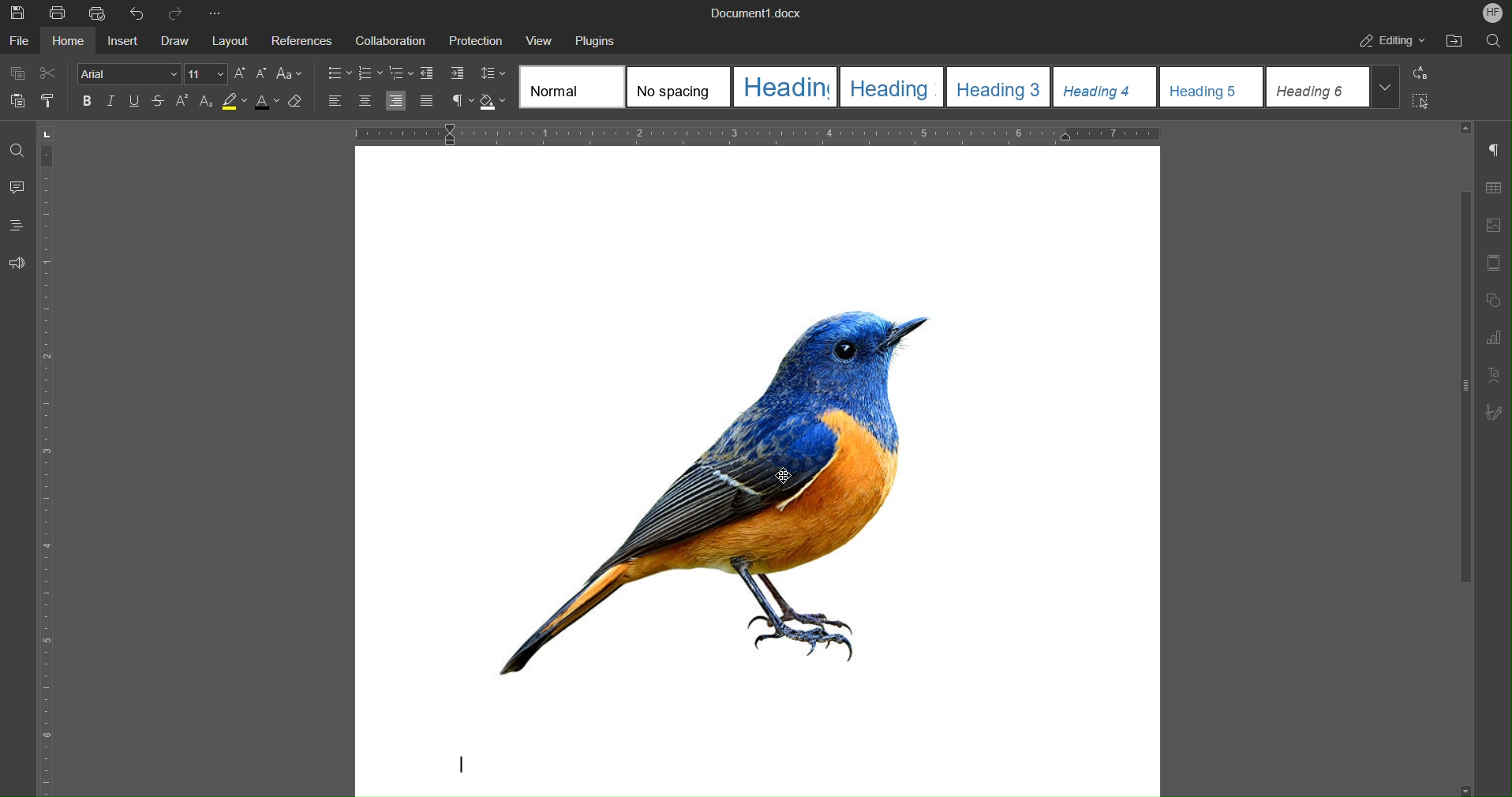  Describe the element at coordinates (1000, 86) in the screenshot. I see `Heading 3` at that location.